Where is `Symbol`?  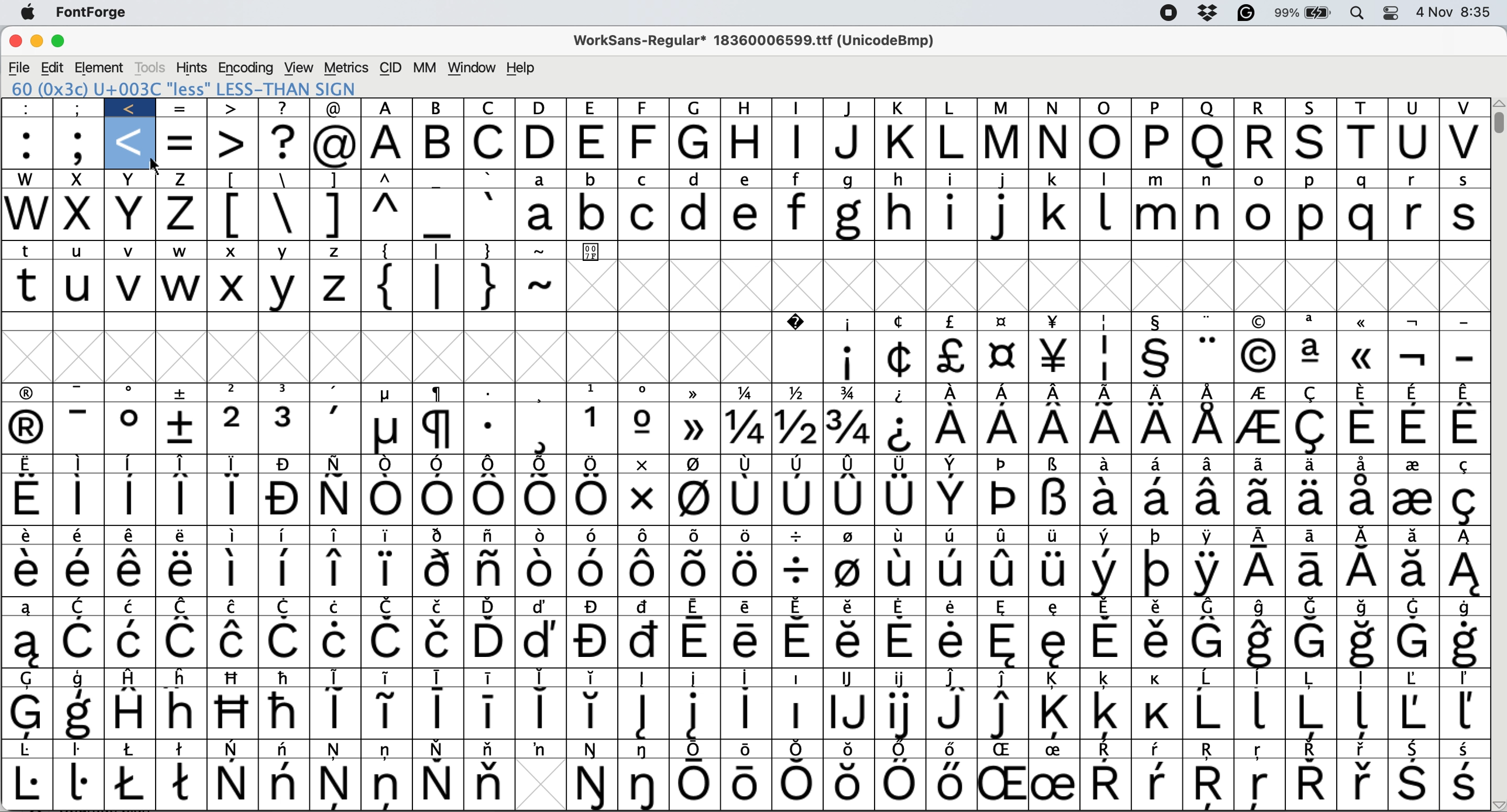
Symbol is located at coordinates (593, 499).